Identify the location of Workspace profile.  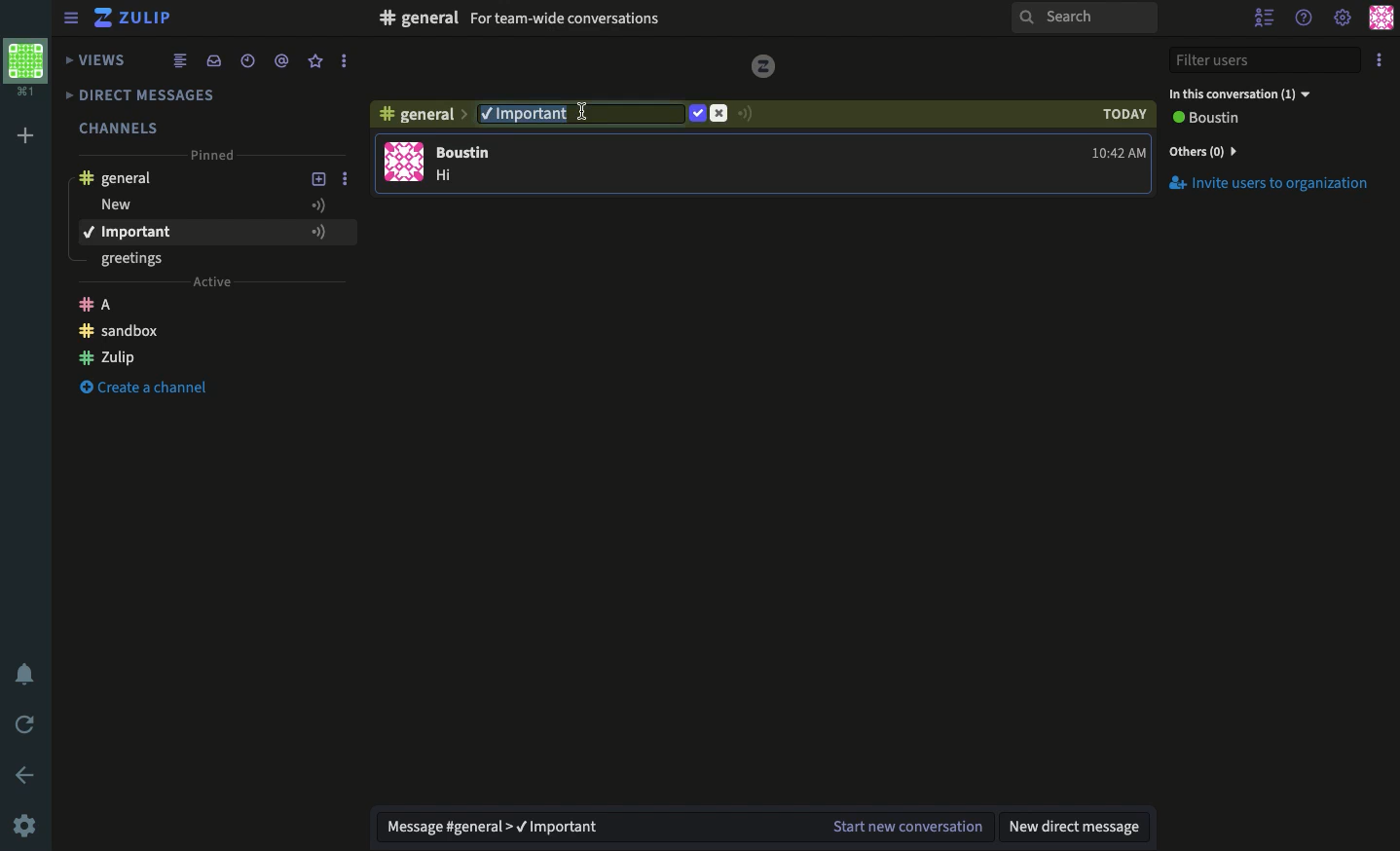
(30, 68).